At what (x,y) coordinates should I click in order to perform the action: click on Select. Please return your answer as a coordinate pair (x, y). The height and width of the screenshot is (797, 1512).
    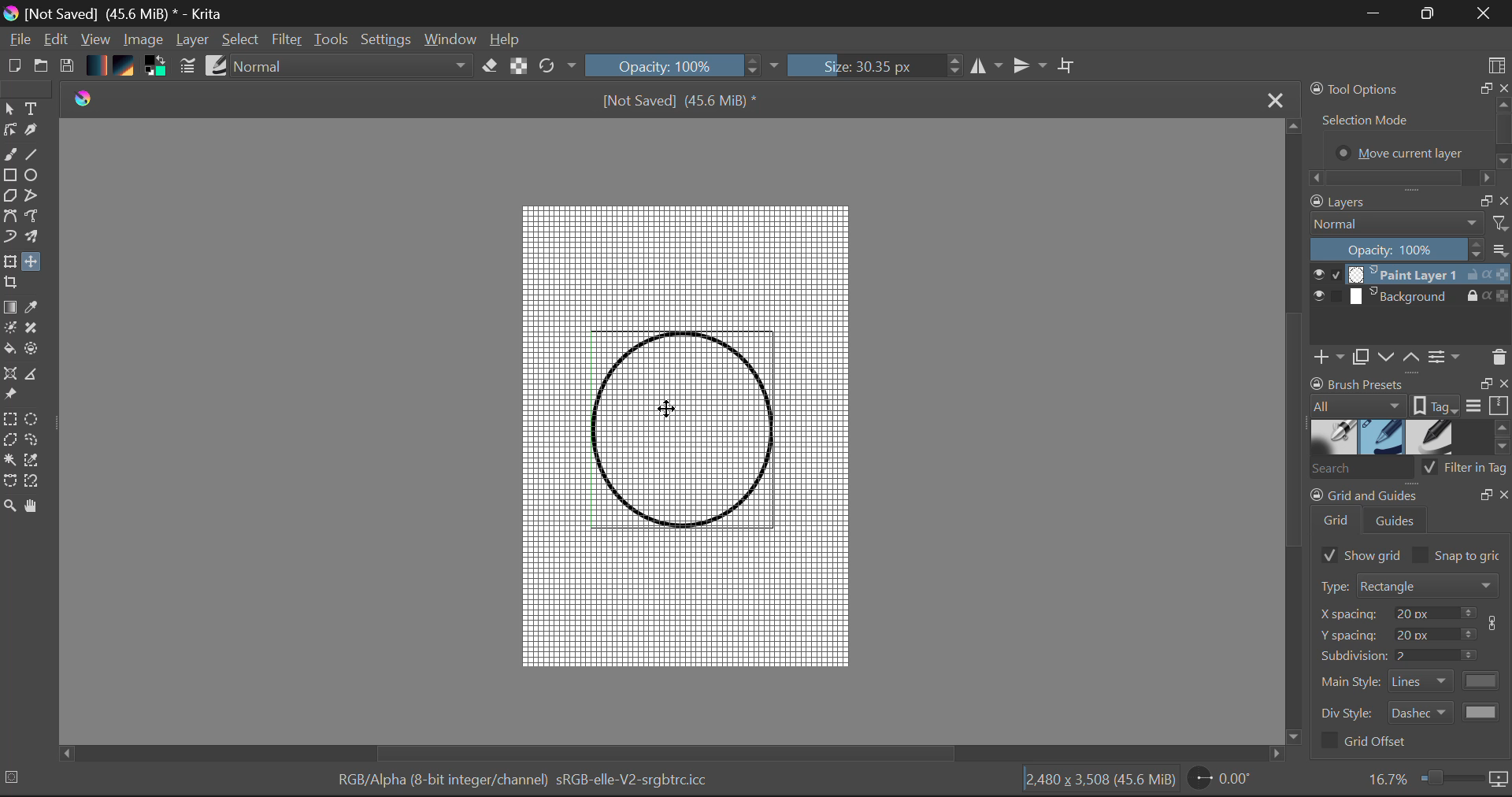
    Looking at the image, I should click on (10, 109).